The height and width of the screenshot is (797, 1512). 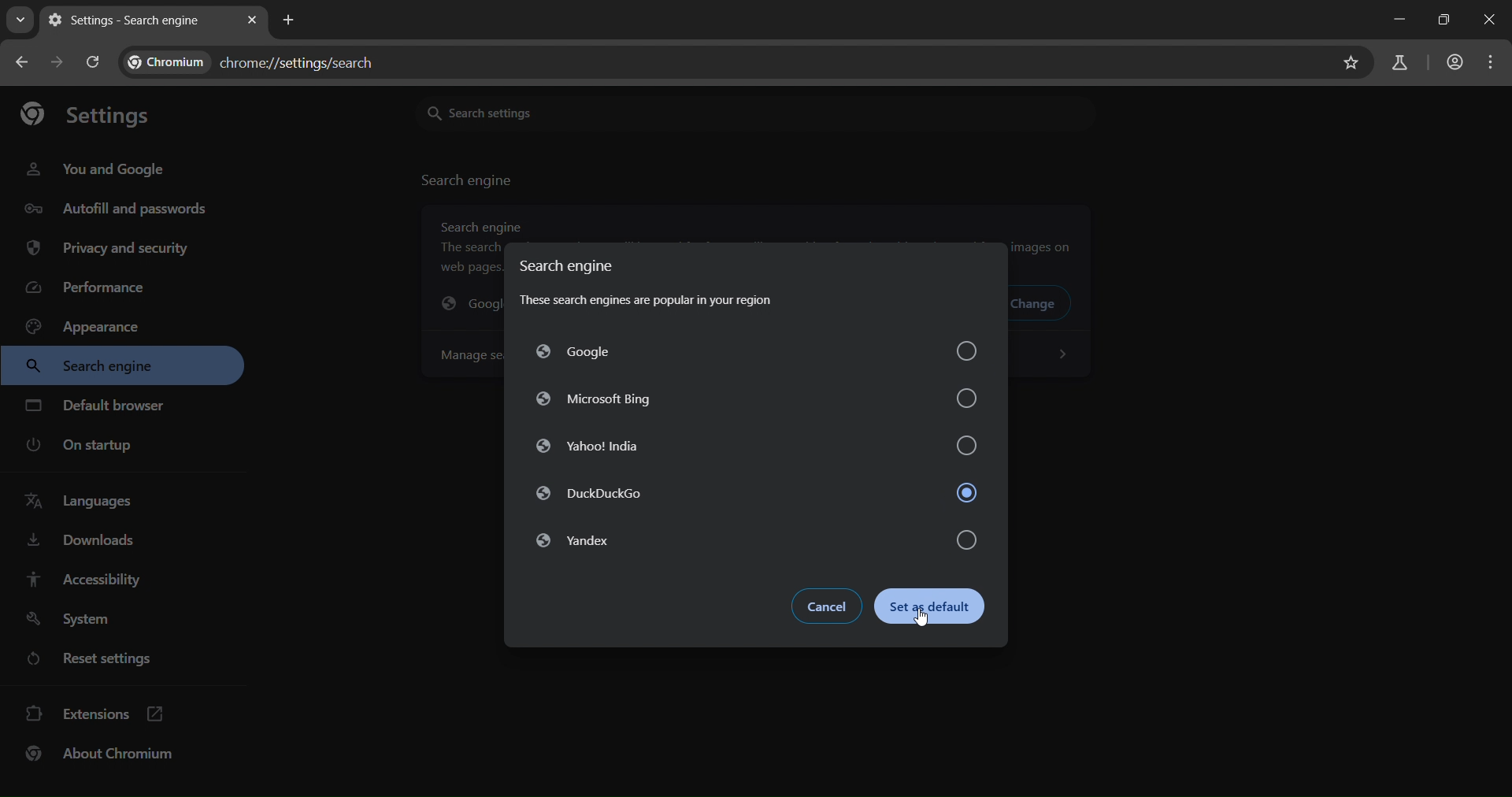 What do you see at coordinates (288, 20) in the screenshot?
I see `new tab` at bounding box center [288, 20].